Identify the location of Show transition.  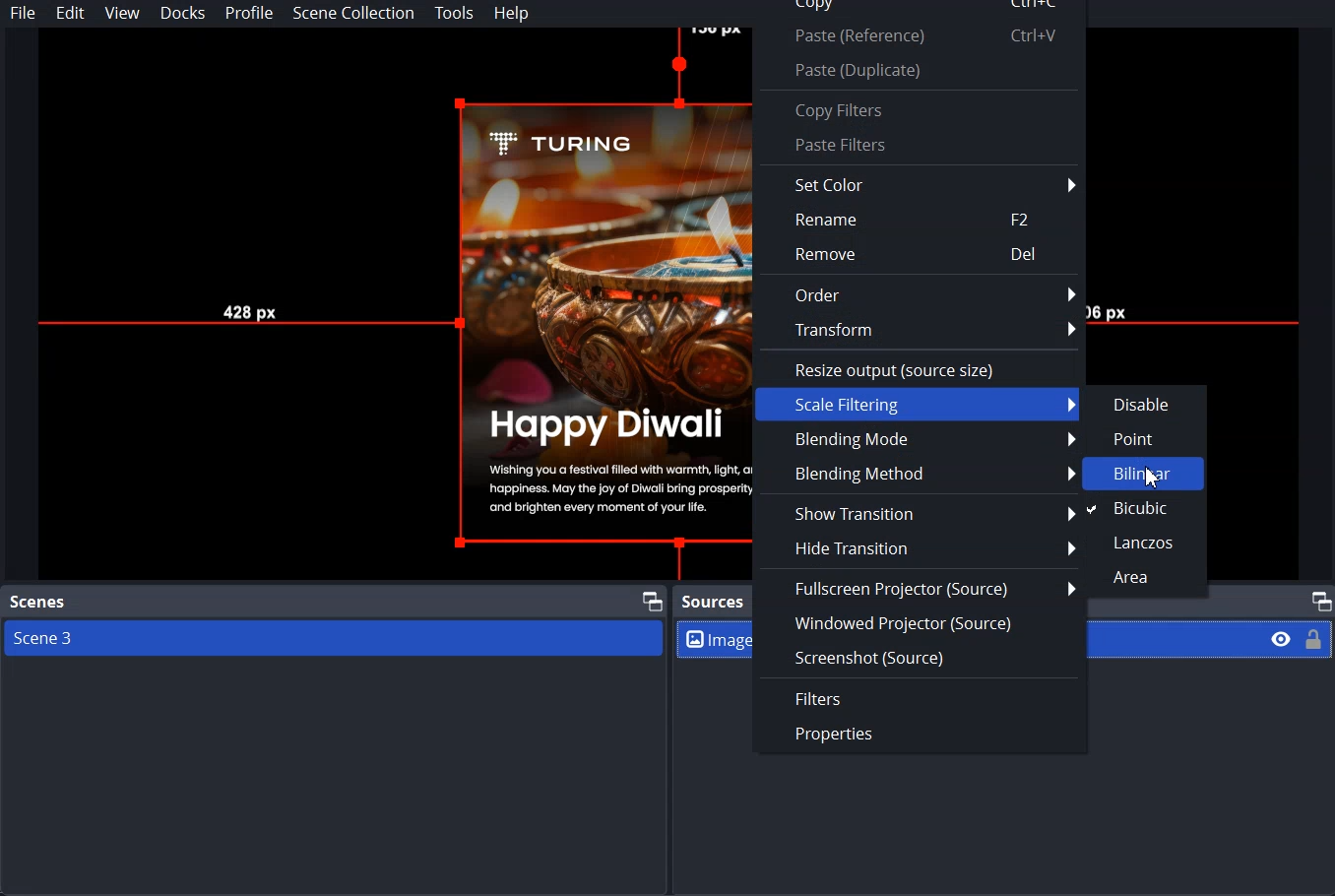
(916, 511).